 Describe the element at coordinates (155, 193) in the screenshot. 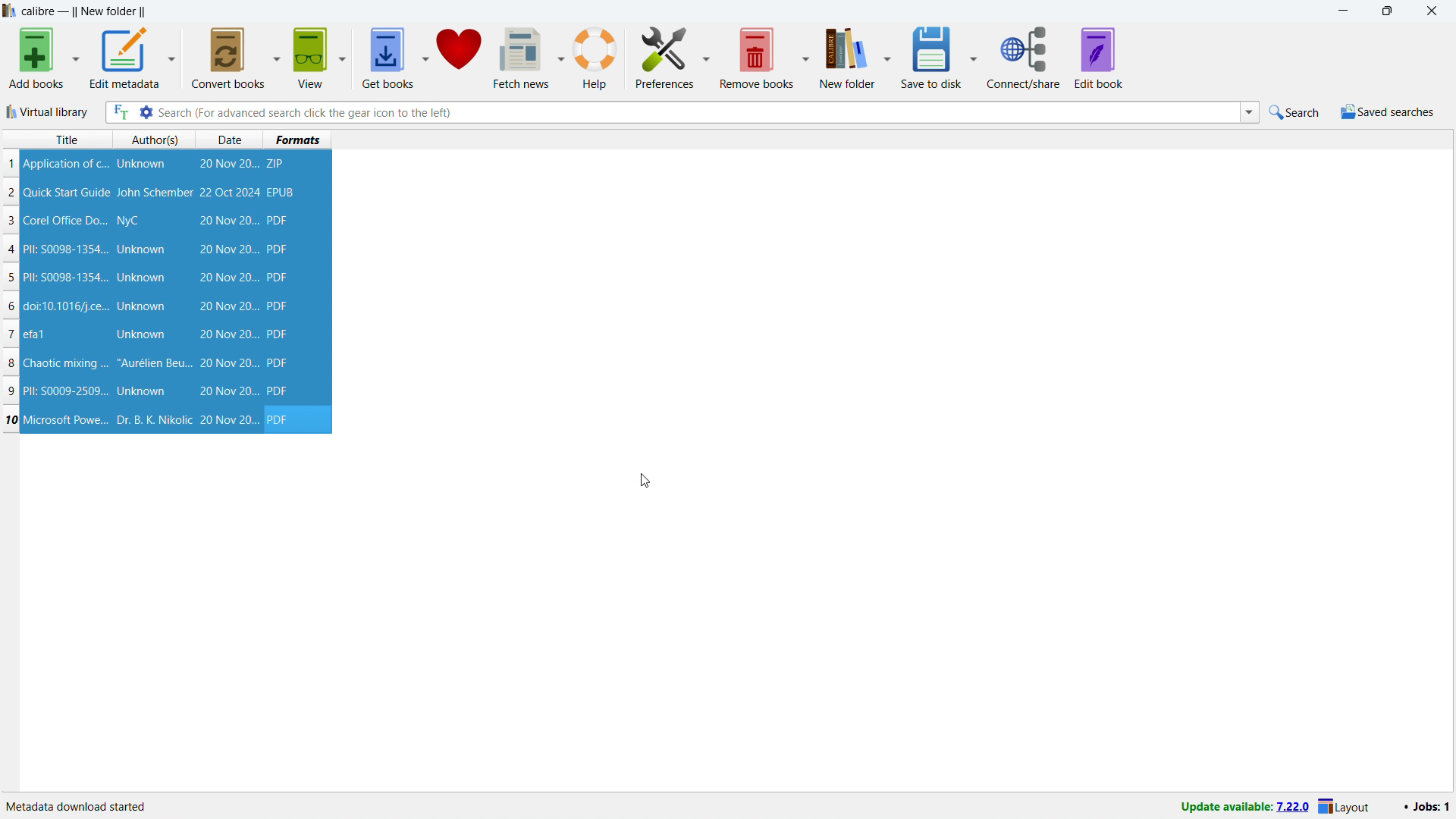

I see `John Schember` at that location.